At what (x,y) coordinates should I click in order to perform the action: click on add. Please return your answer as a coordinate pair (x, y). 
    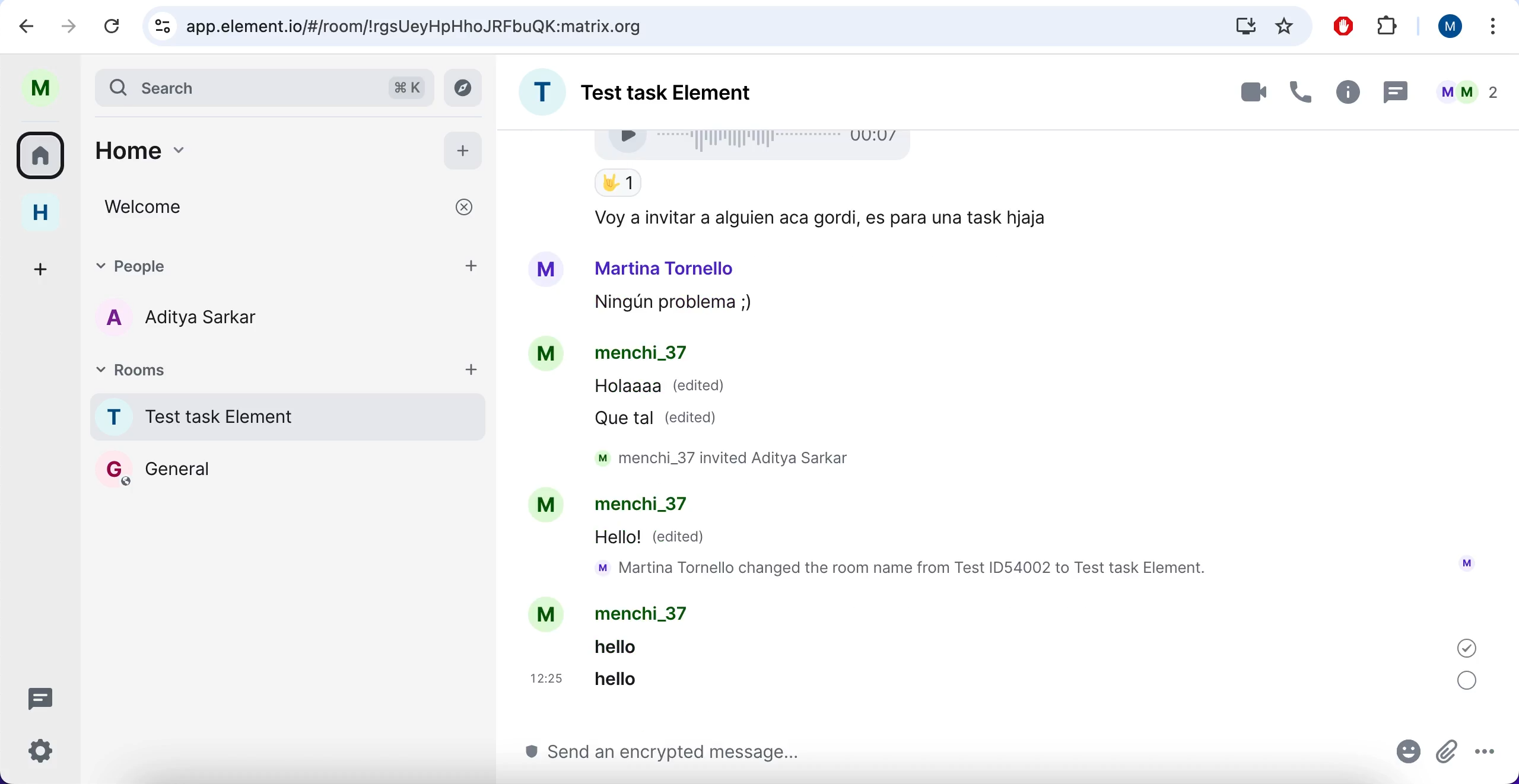
    Looking at the image, I should click on (472, 368).